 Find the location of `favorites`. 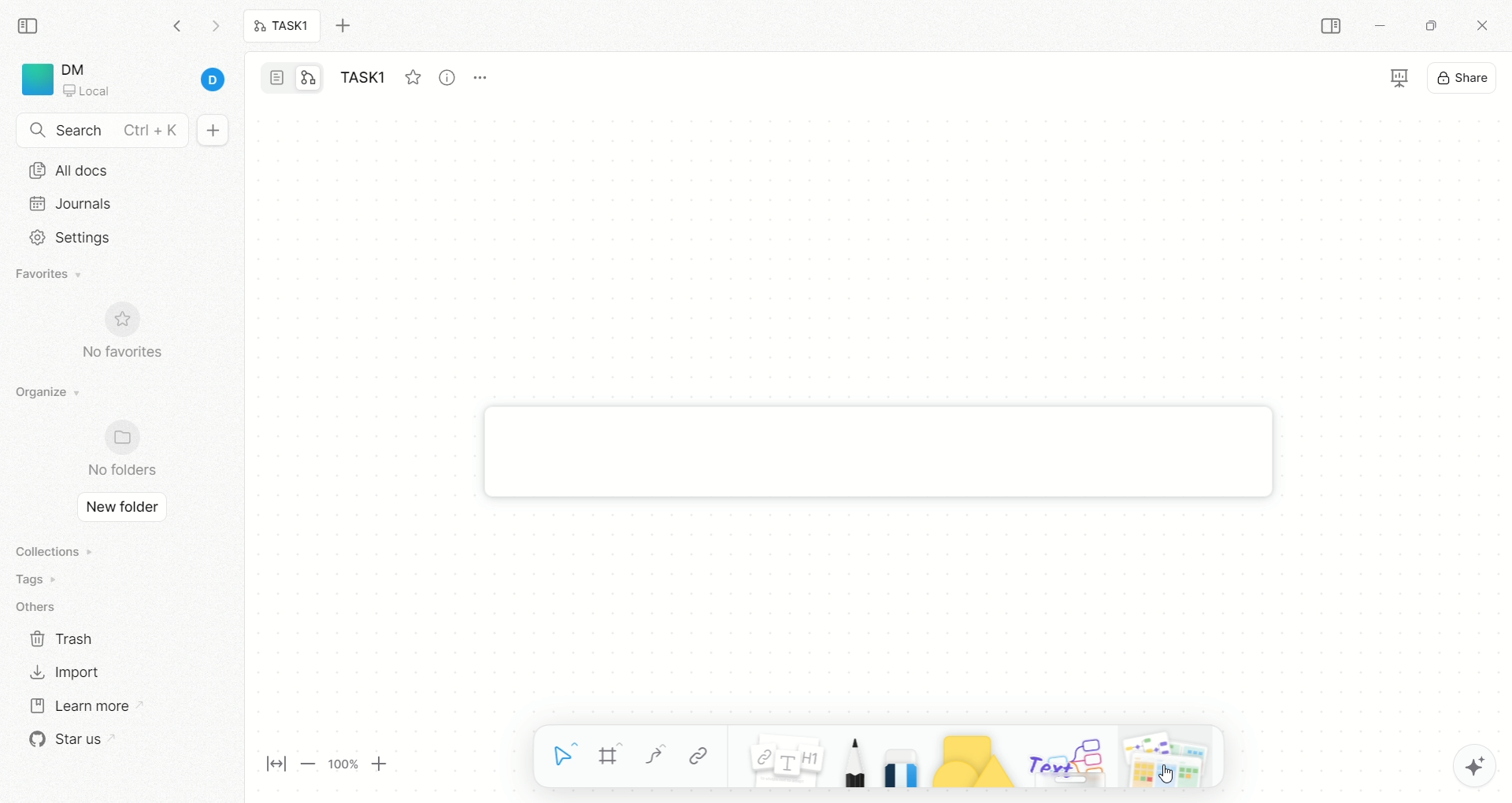

favorites is located at coordinates (412, 75).